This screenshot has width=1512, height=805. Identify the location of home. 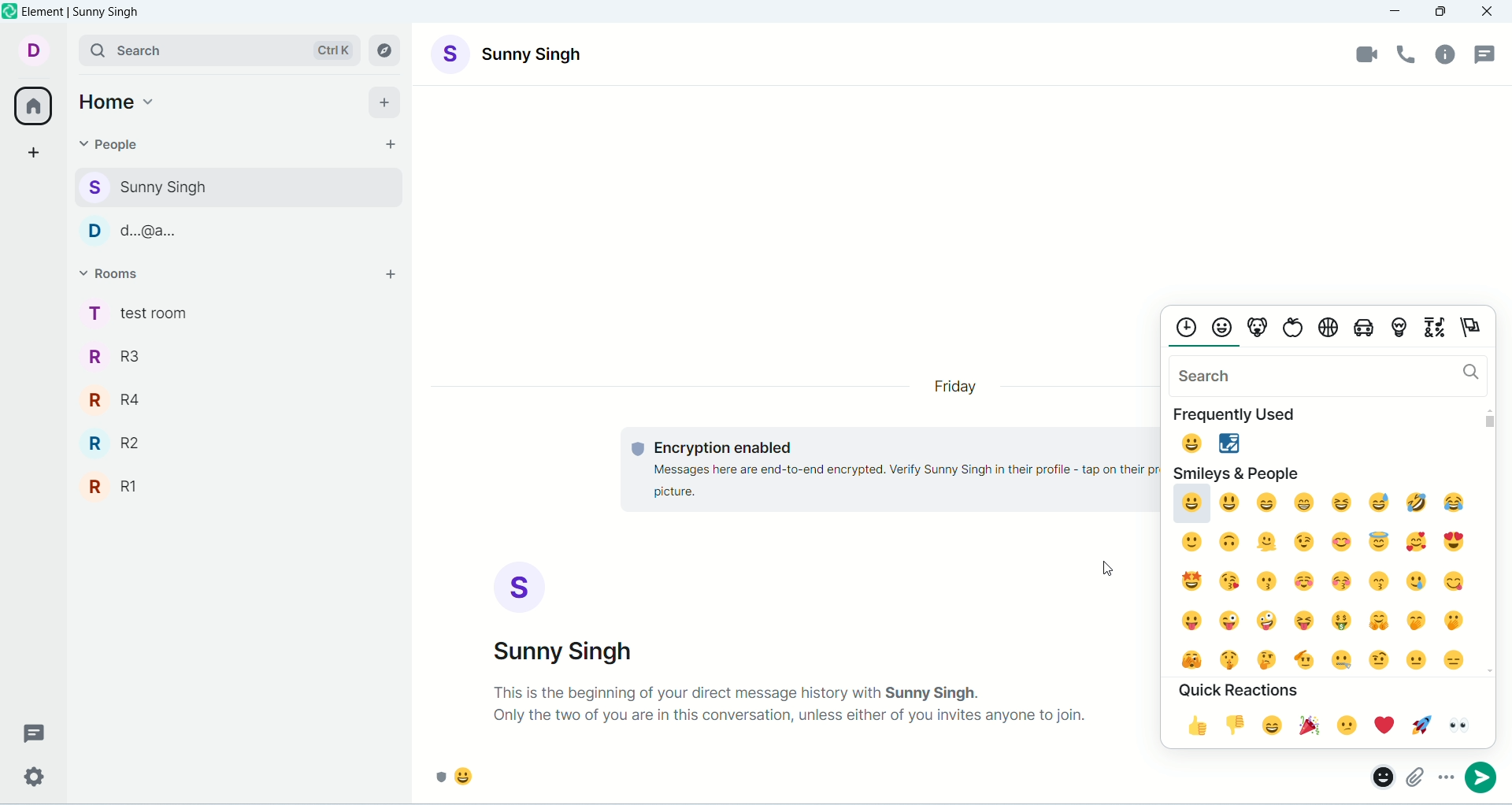
(32, 107).